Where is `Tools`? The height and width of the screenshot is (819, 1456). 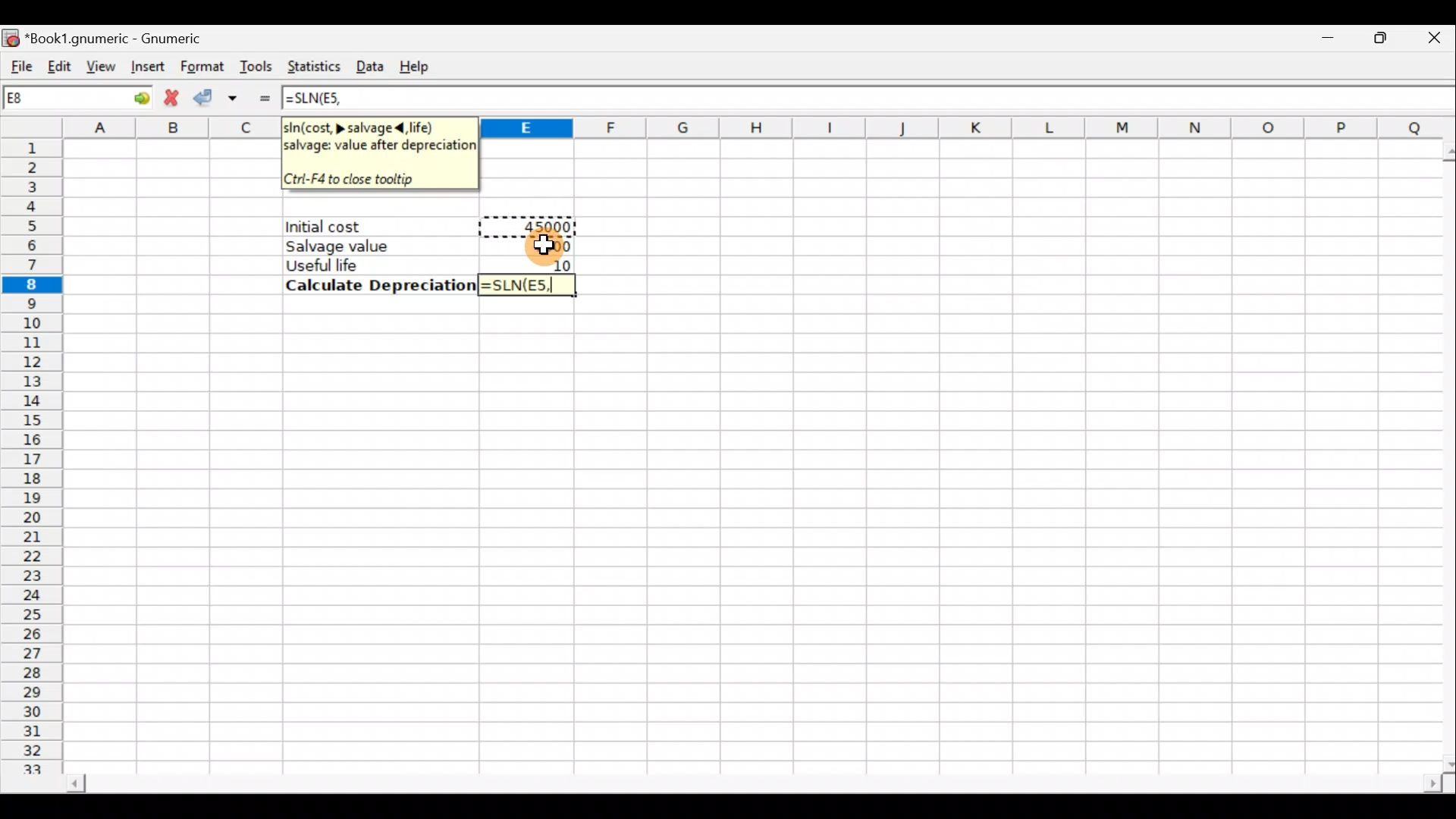 Tools is located at coordinates (258, 65).